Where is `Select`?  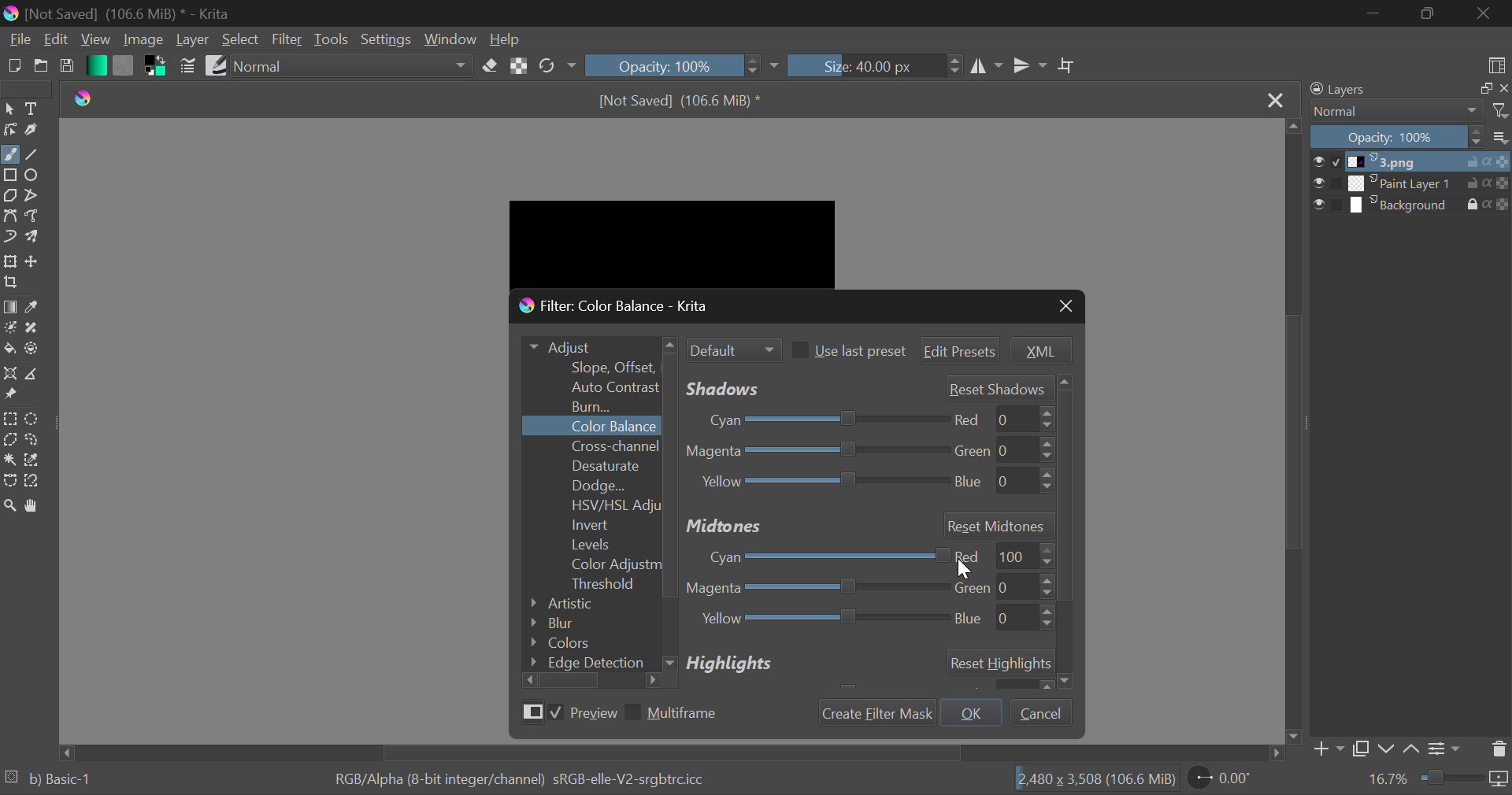
Select is located at coordinates (9, 110).